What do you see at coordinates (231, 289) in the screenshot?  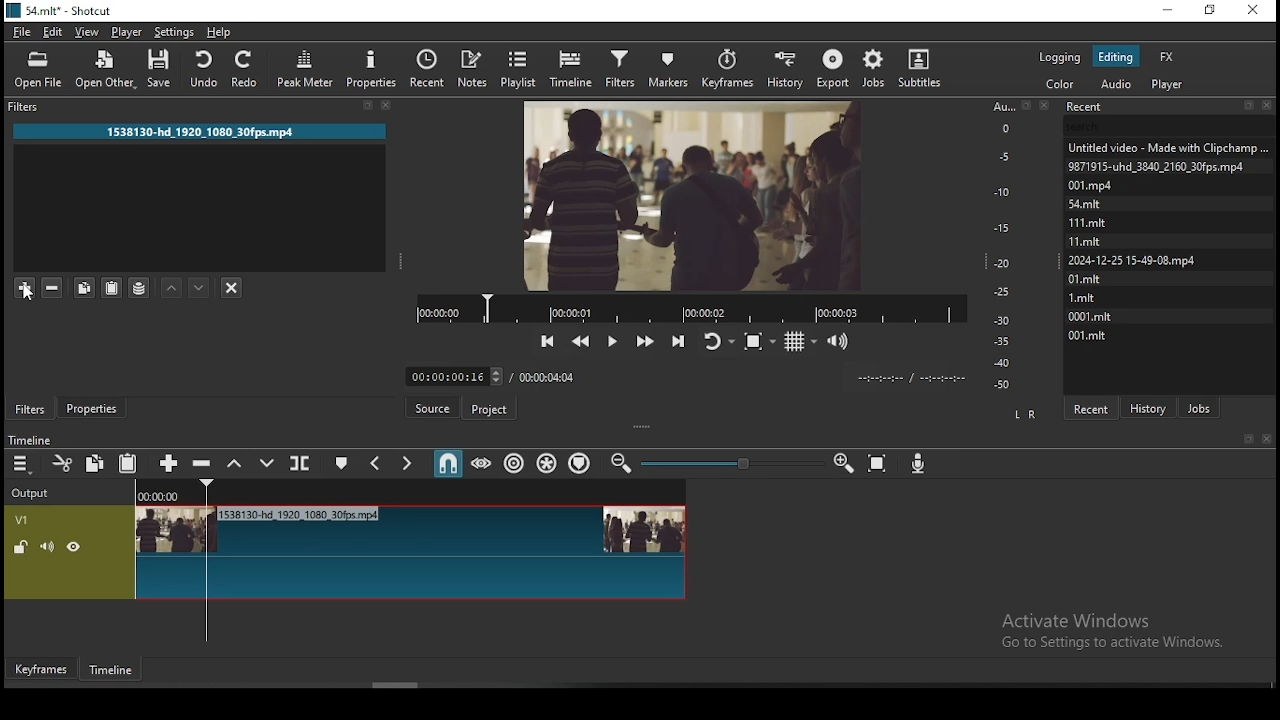 I see `deselect filter` at bounding box center [231, 289].